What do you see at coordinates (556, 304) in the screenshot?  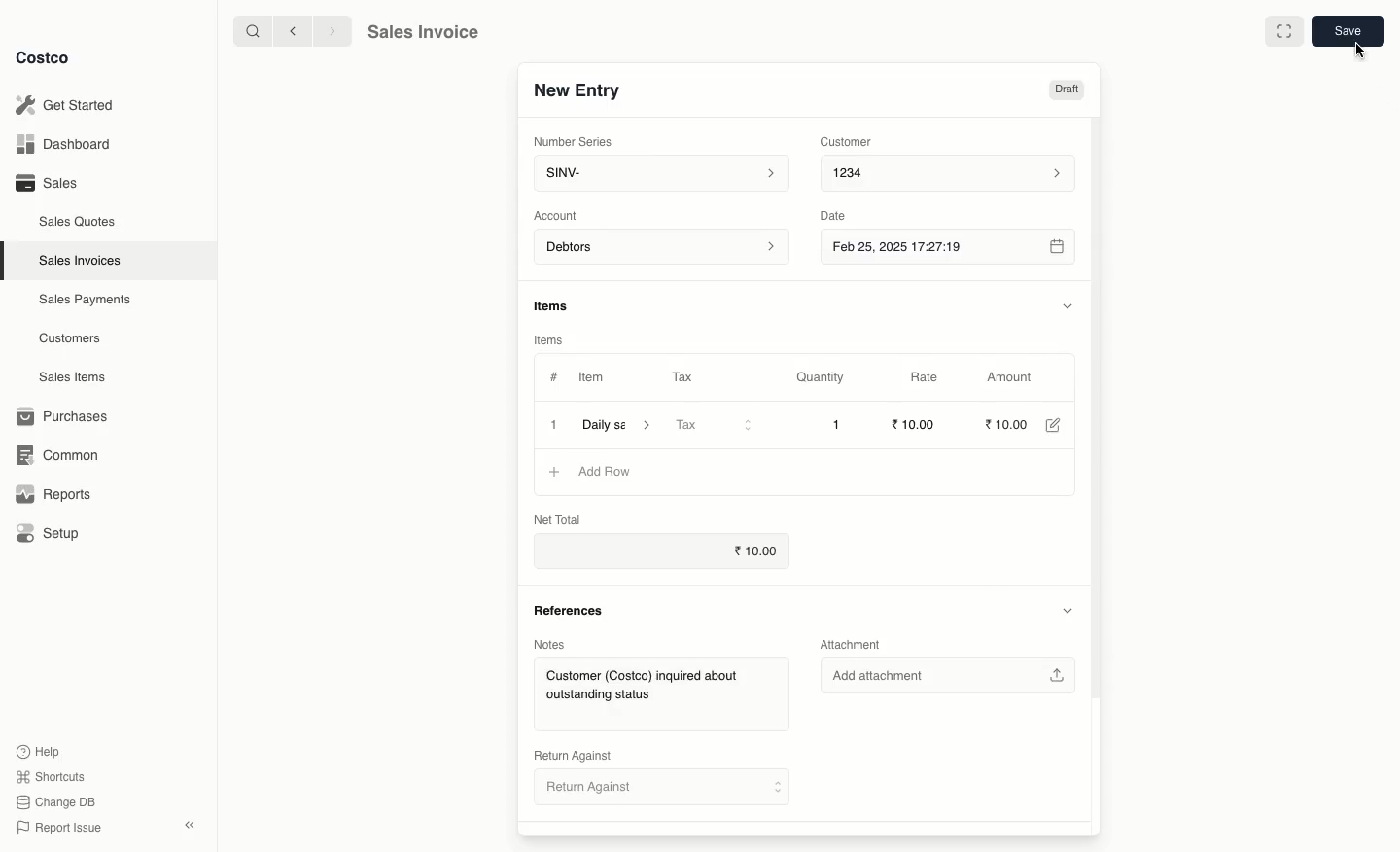 I see `` at bounding box center [556, 304].